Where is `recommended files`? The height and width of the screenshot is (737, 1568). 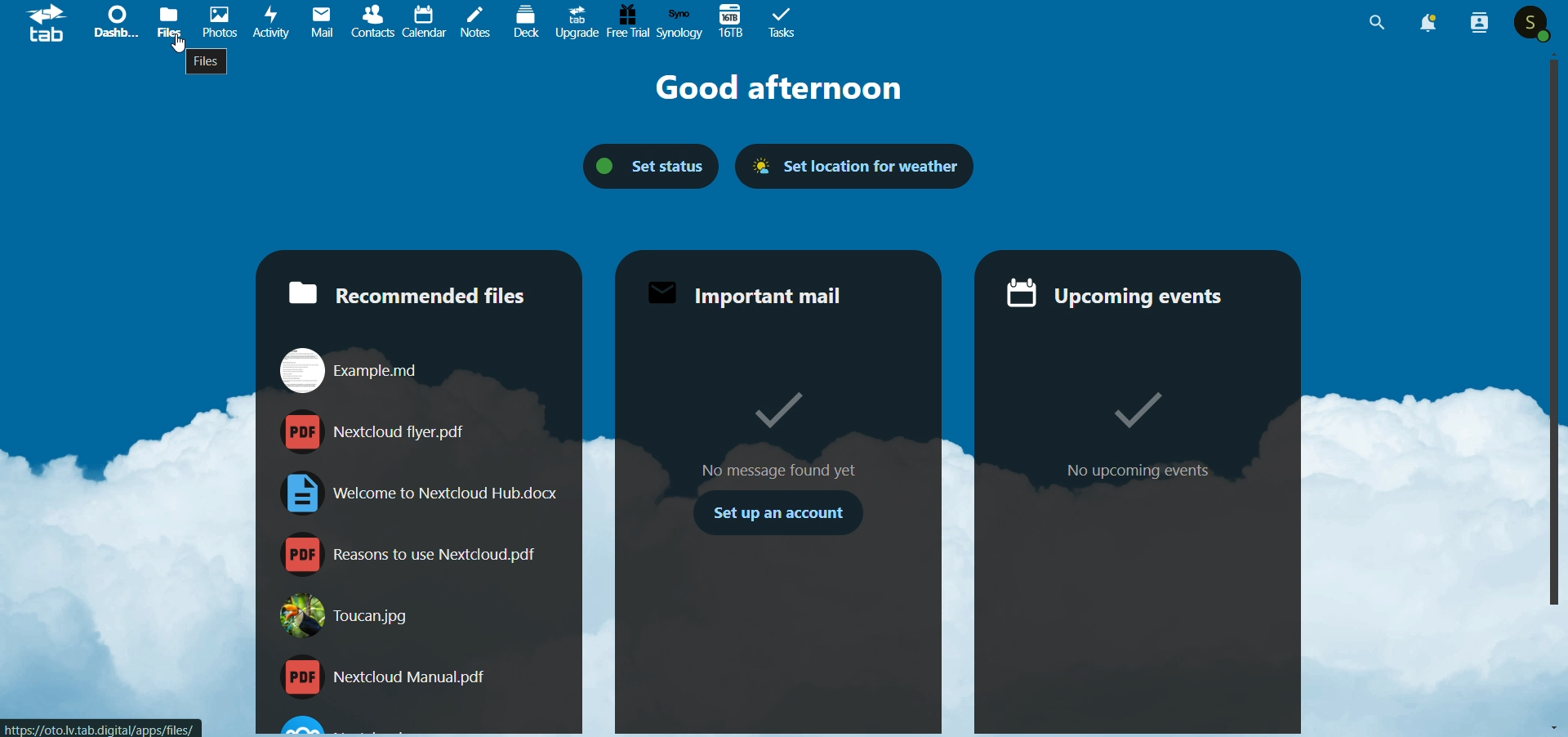 recommended files is located at coordinates (403, 290).